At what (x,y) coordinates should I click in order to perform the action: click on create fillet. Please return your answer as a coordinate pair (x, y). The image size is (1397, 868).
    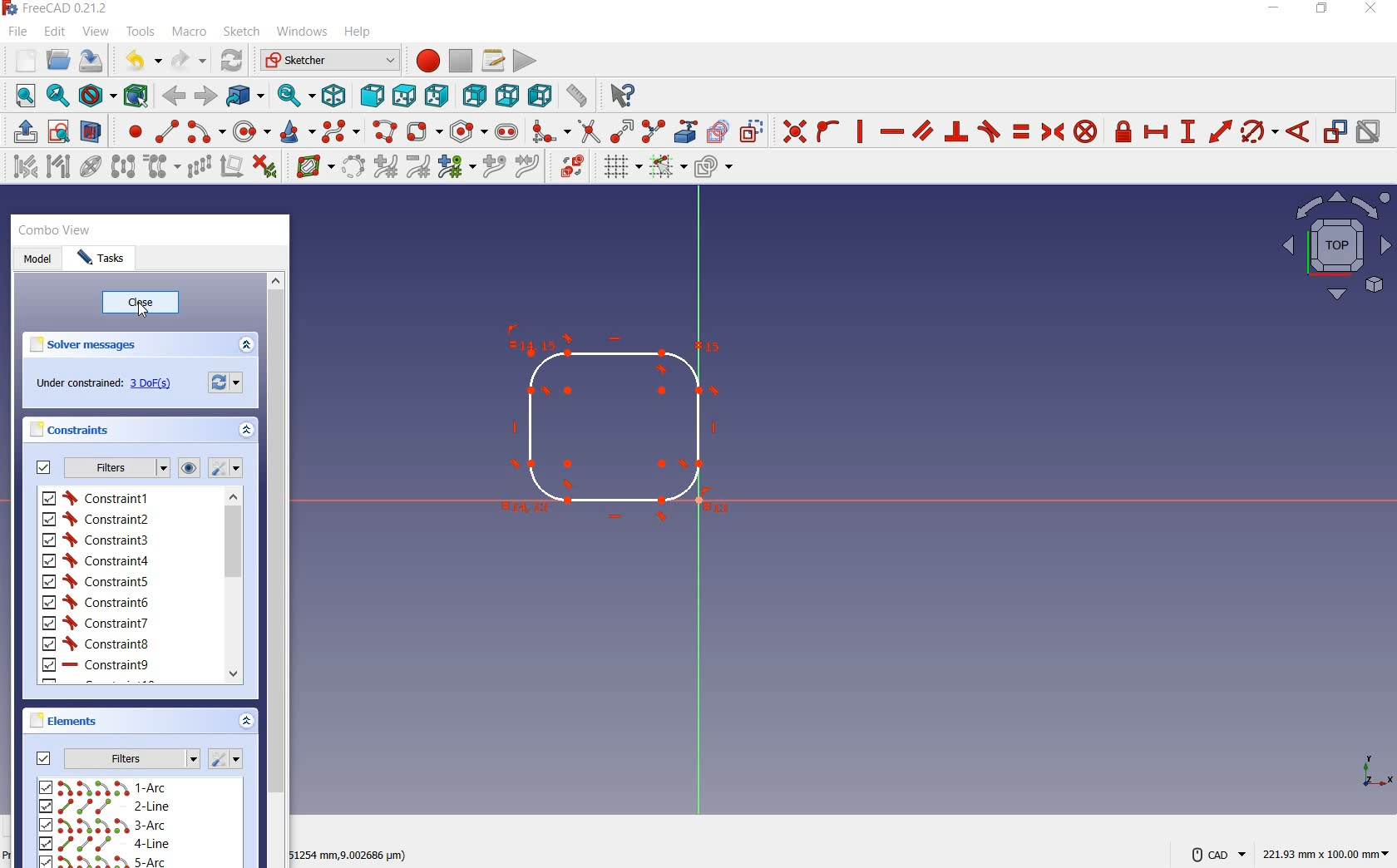
    Looking at the image, I should click on (550, 132).